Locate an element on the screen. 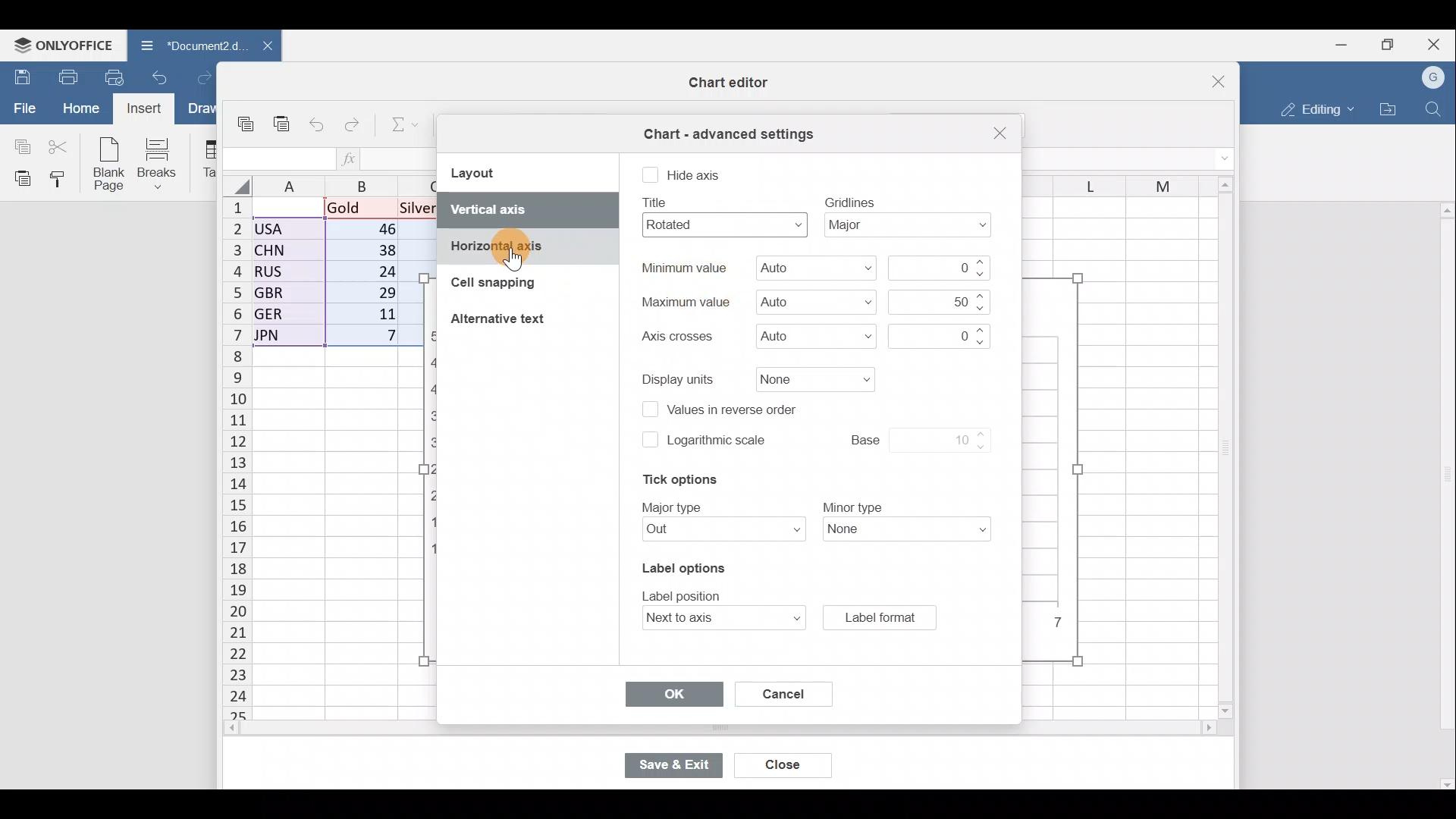  Gridlines is located at coordinates (914, 227).